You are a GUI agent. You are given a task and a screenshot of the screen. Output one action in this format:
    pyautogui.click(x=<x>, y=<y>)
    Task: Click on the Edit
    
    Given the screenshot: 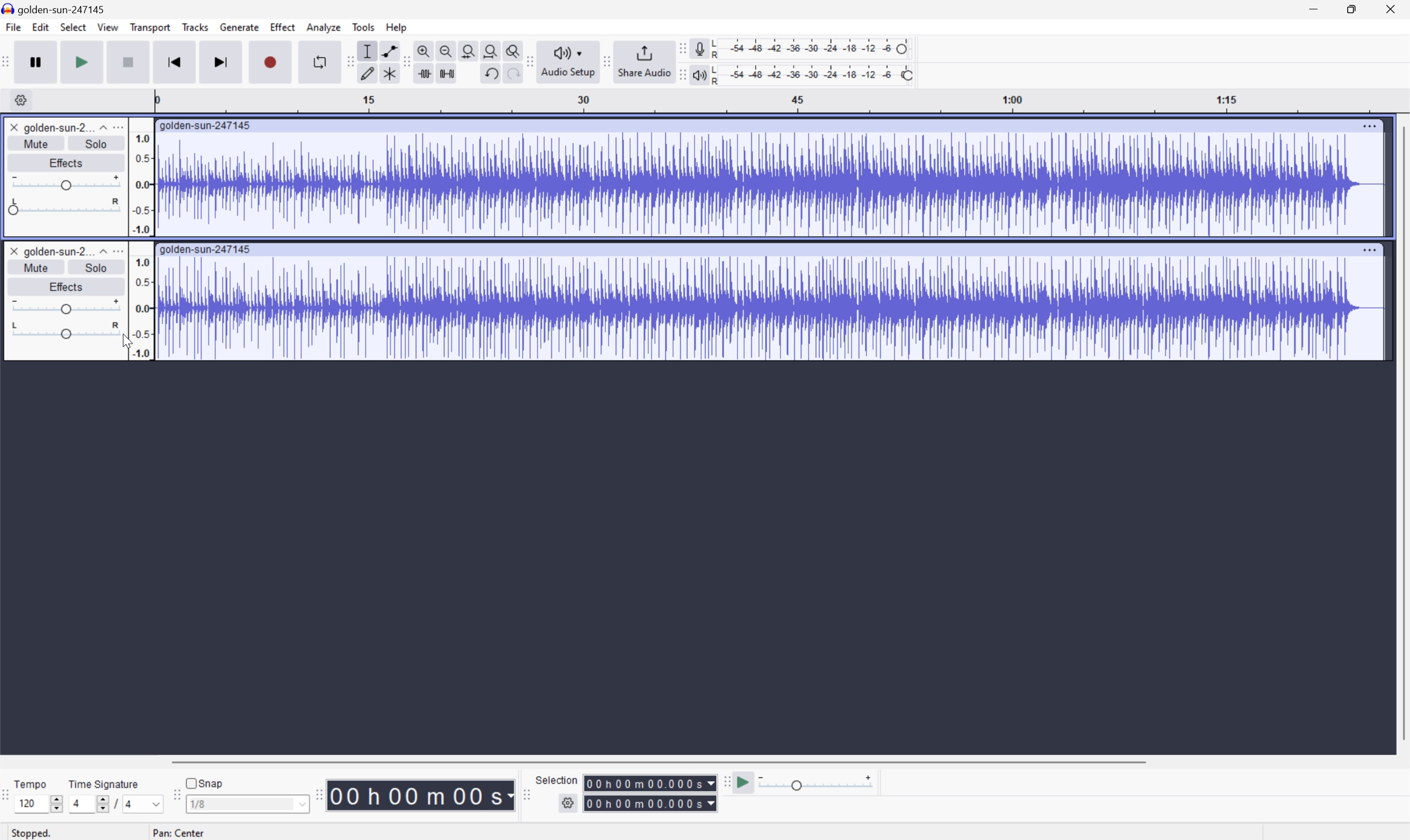 What is the action you would take?
    pyautogui.click(x=41, y=29)
    